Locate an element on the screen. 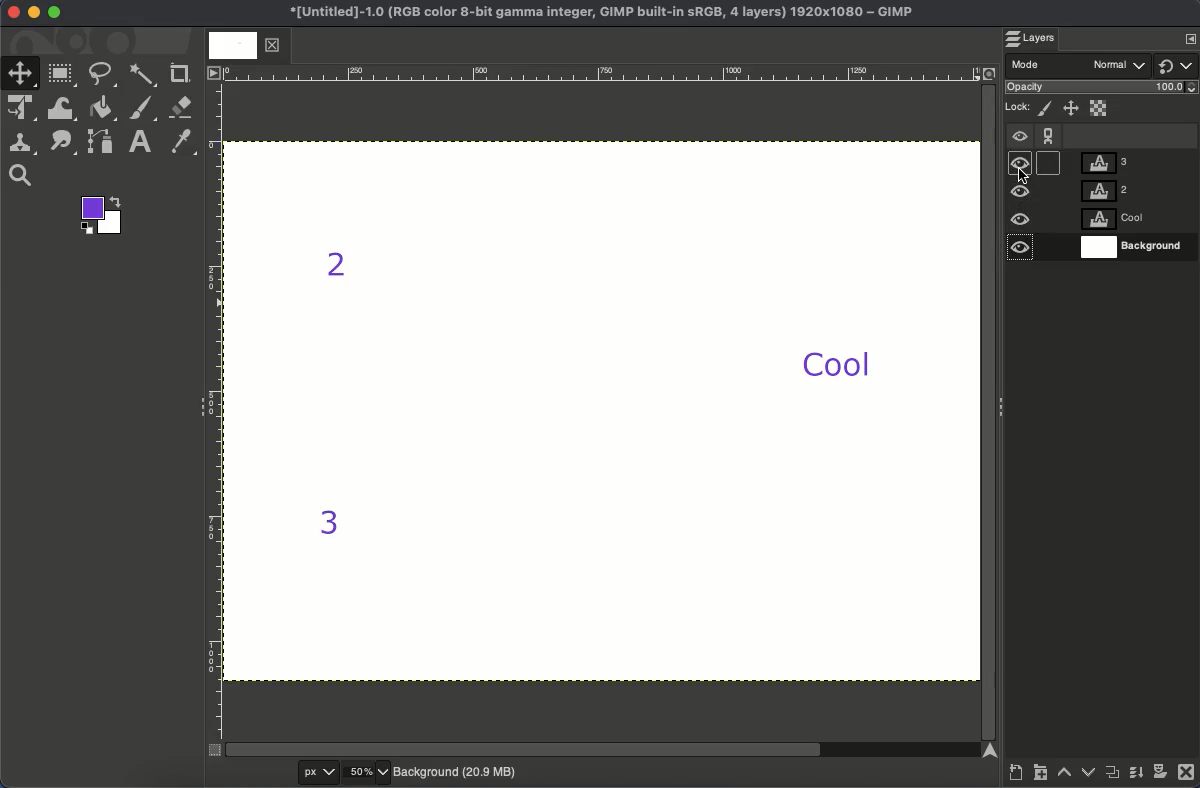 The image size is (1200, 788). Color picker is located at coordinates (184, 143).